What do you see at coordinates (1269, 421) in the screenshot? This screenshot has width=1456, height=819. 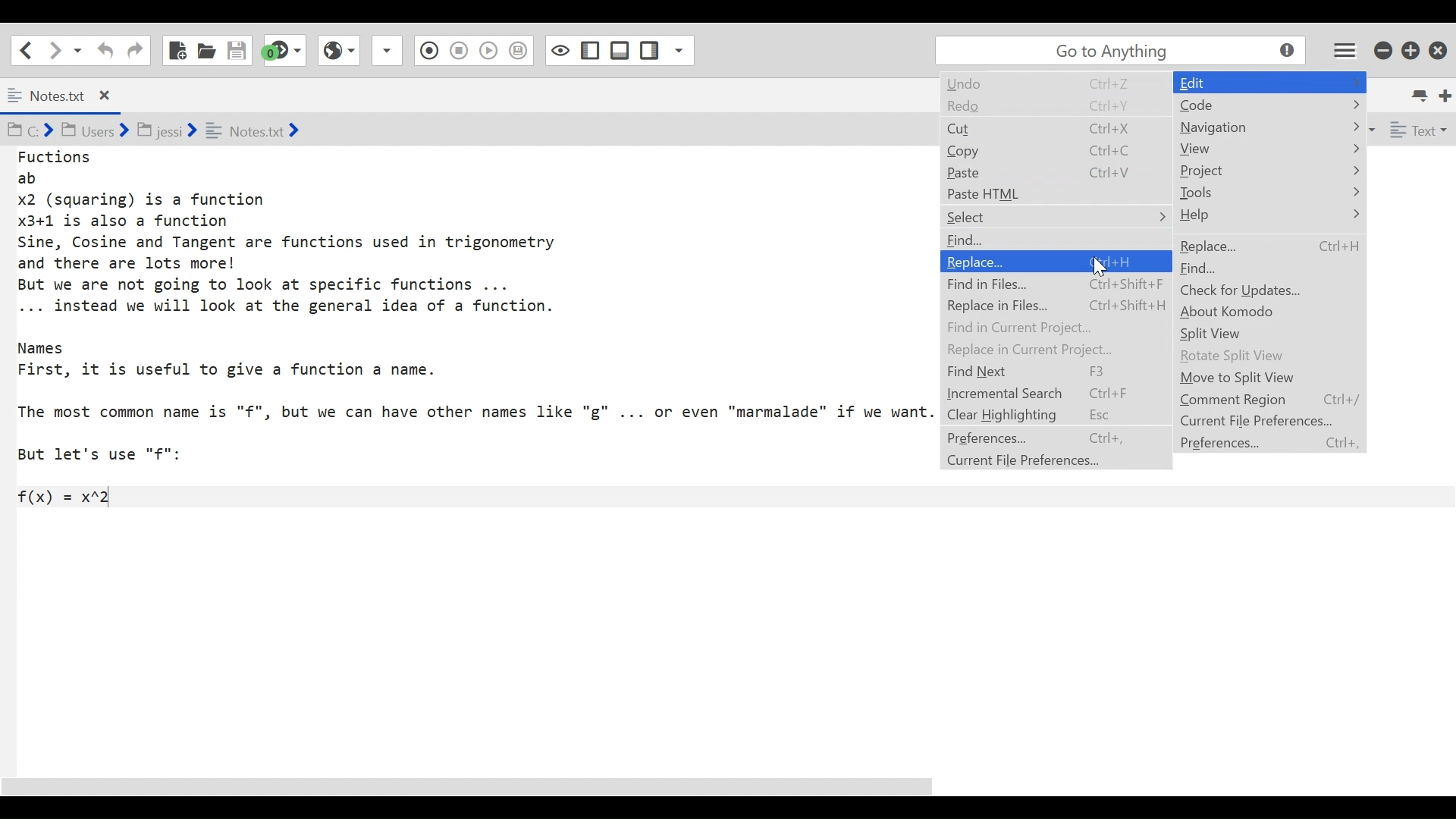 I see `Current File Preferences...` at bounding box center [1269, 421].